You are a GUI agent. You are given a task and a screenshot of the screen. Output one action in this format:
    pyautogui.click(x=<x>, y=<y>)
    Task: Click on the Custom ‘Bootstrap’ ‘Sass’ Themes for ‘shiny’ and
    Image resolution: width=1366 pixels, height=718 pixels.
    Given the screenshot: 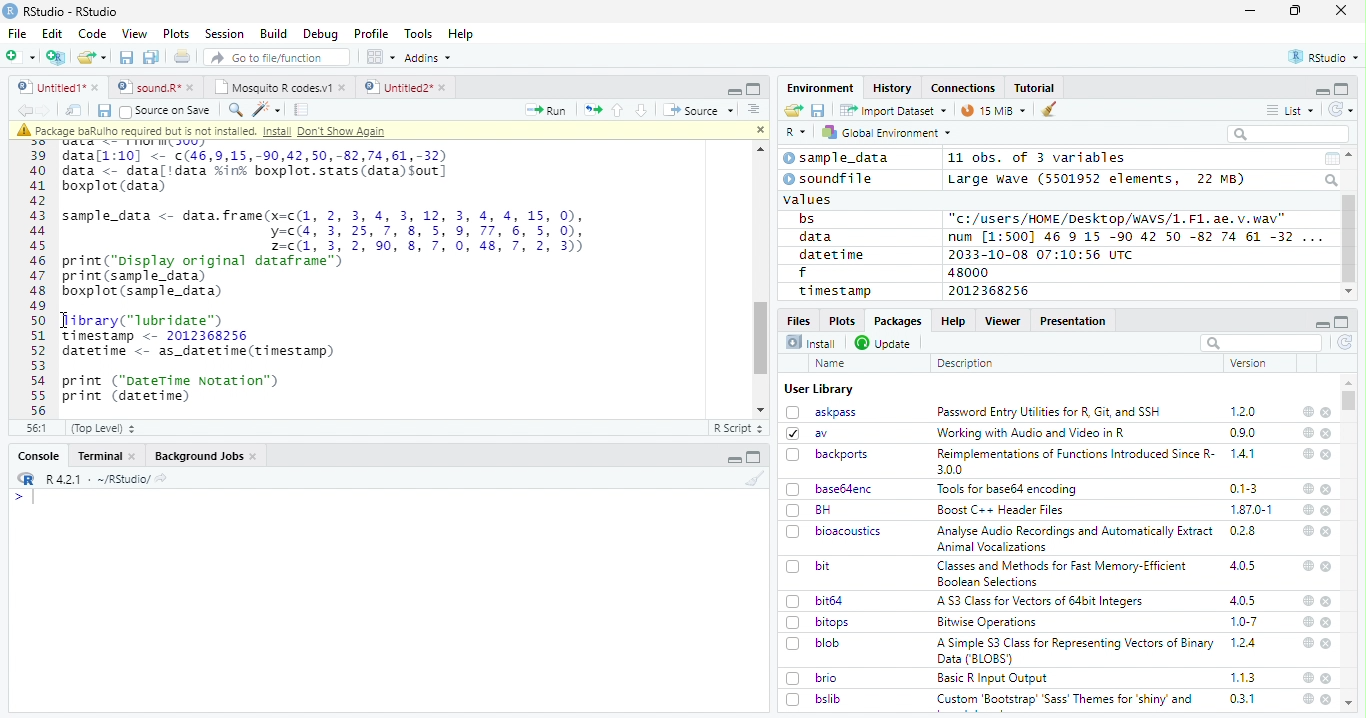 What is the action you would take?
    pyautogui.click(x=1065, y=702)
    